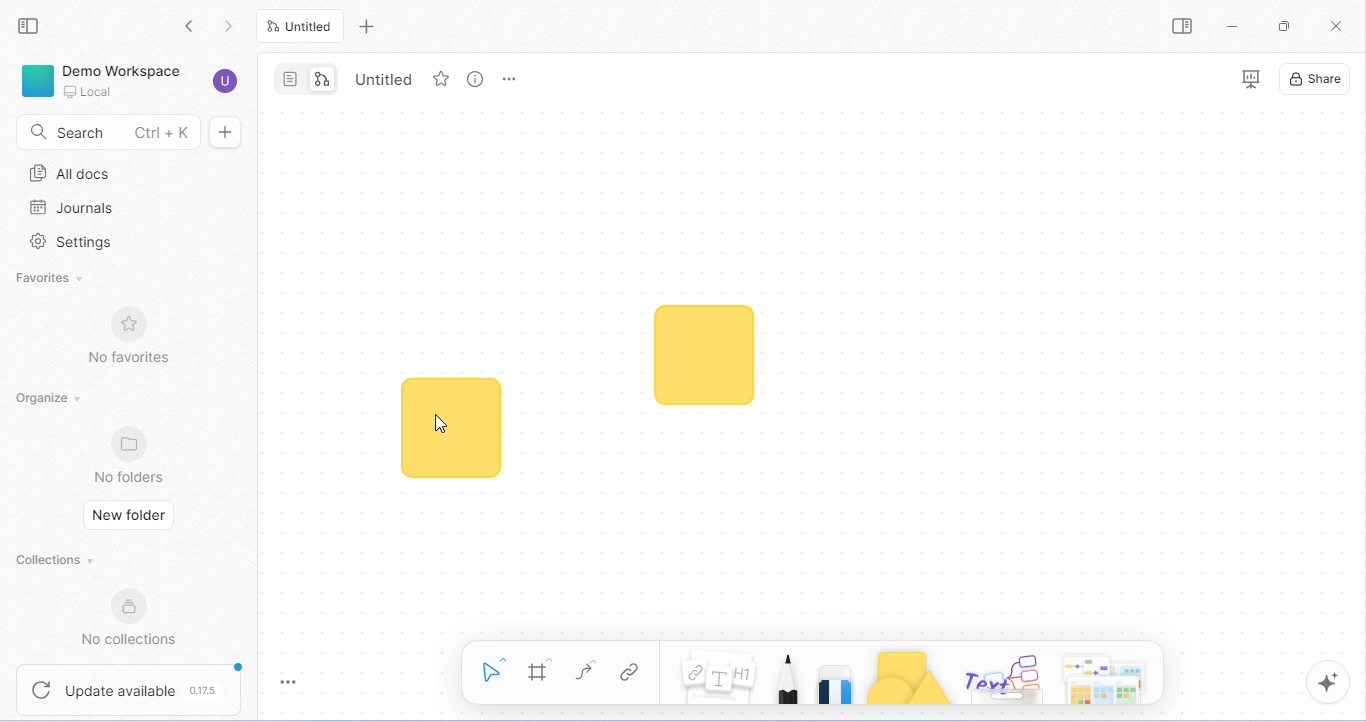 This screenshot has width=1366, height=722. I want to click on no folders, so click(132, 455).